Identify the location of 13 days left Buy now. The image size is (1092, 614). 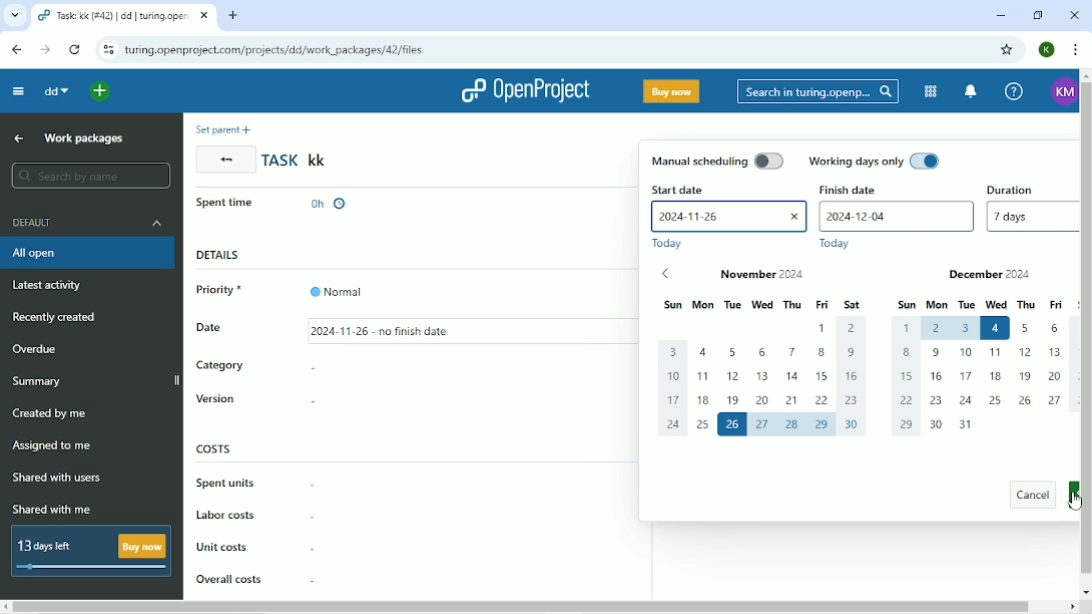
(89, 553).